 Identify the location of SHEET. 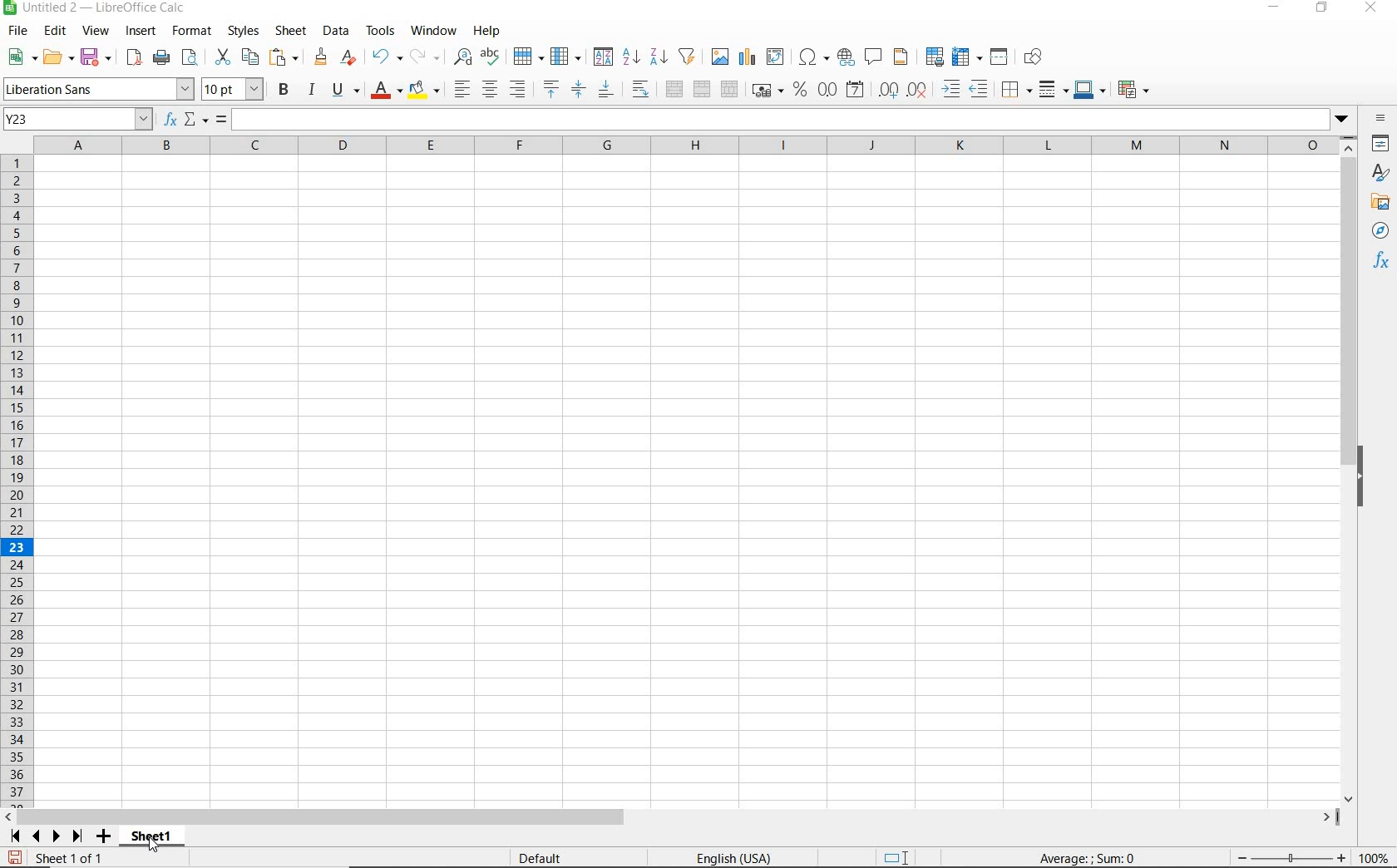
(289, 32).